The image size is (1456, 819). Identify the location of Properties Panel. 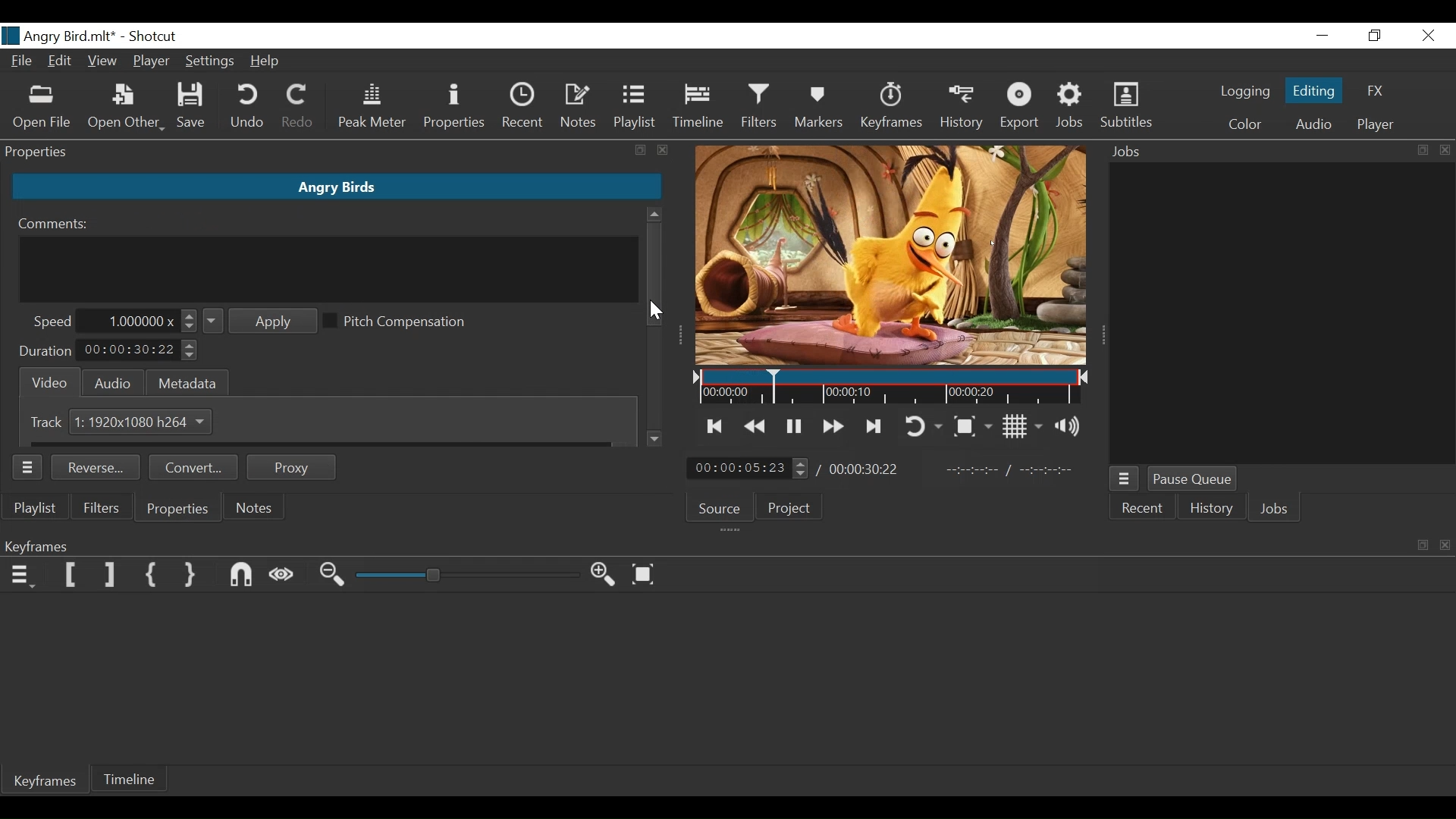
(337, 152).